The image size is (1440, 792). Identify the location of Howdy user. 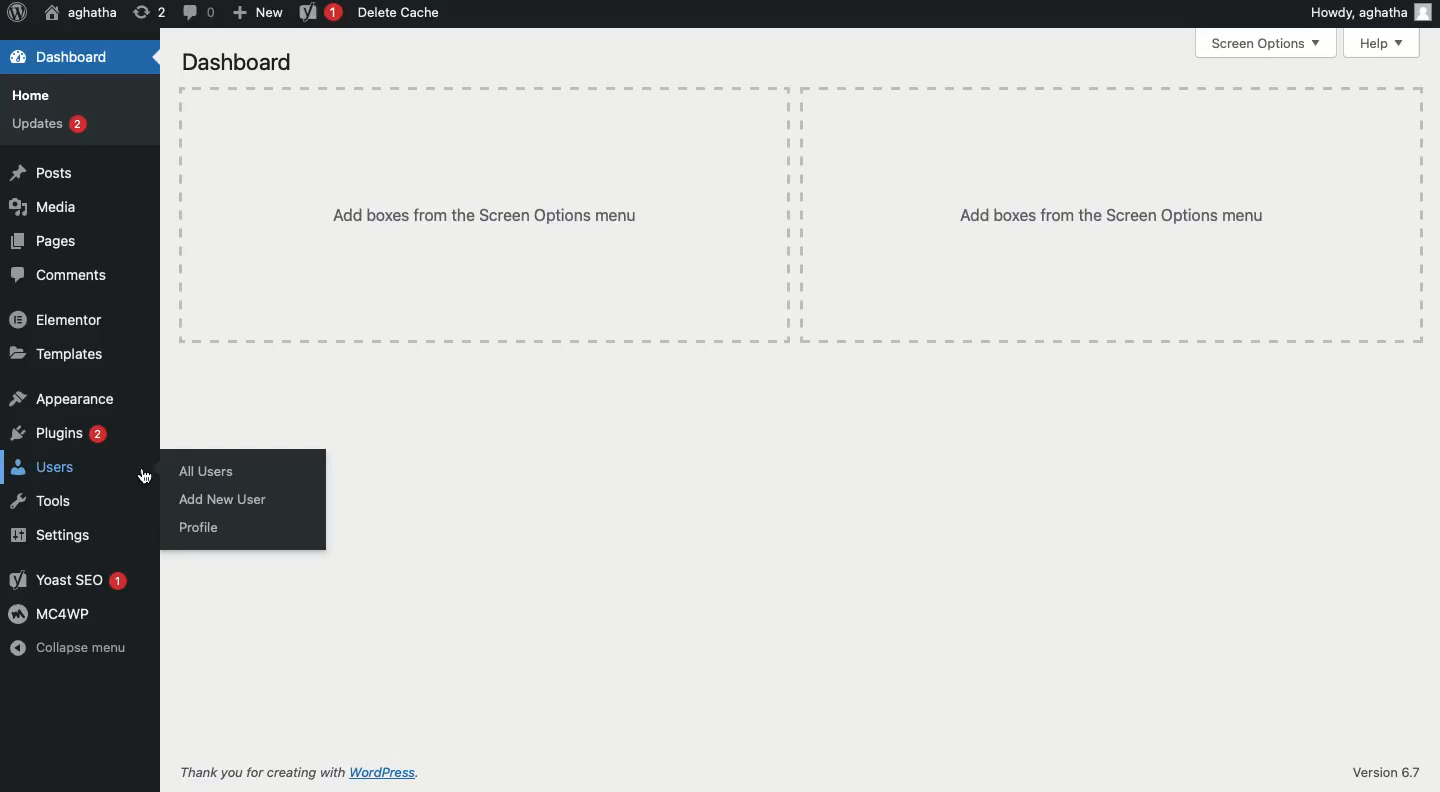
(1368, 12).